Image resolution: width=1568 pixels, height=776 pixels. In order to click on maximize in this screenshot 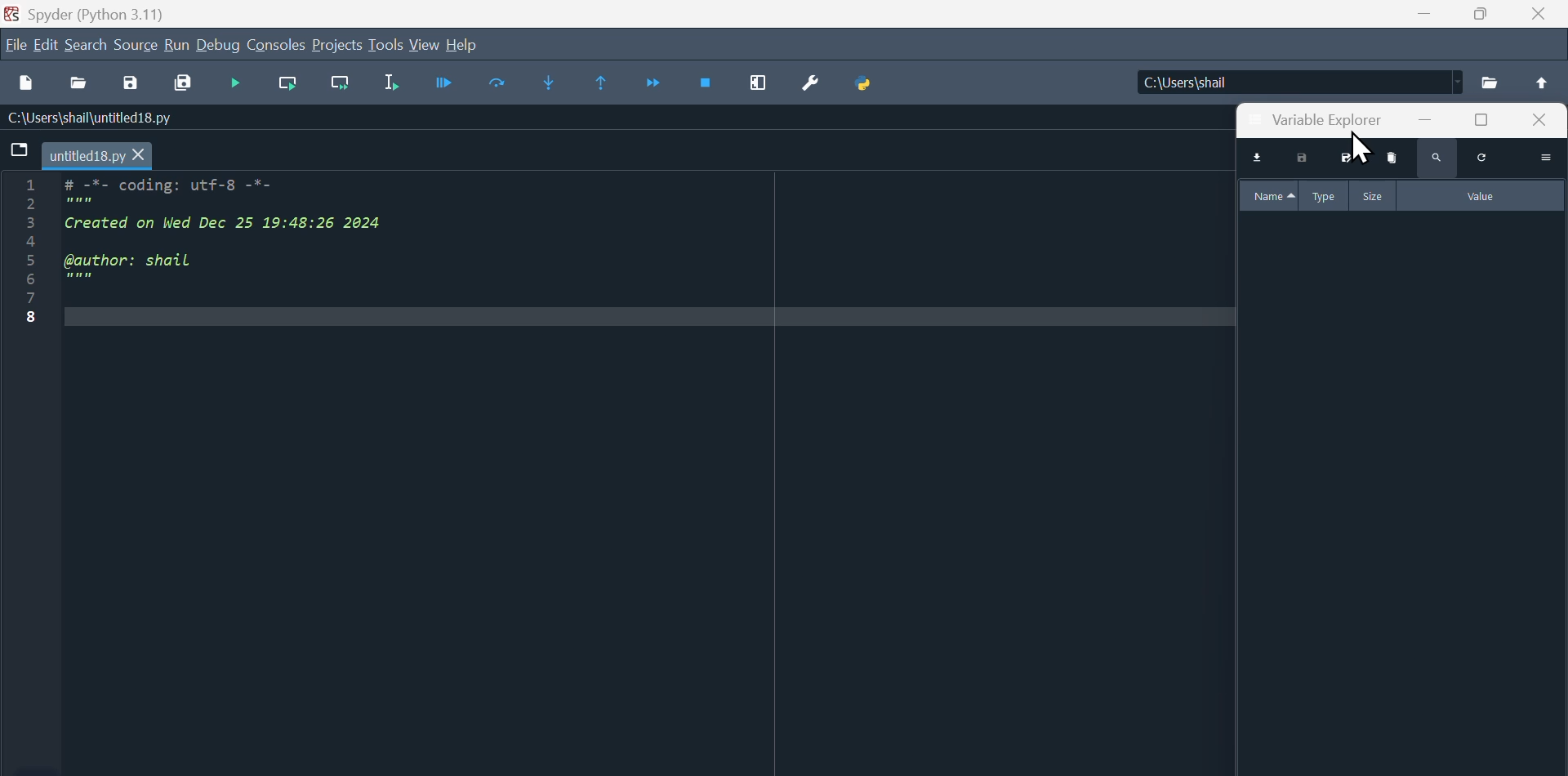, I will do `click(1490, 123)`.